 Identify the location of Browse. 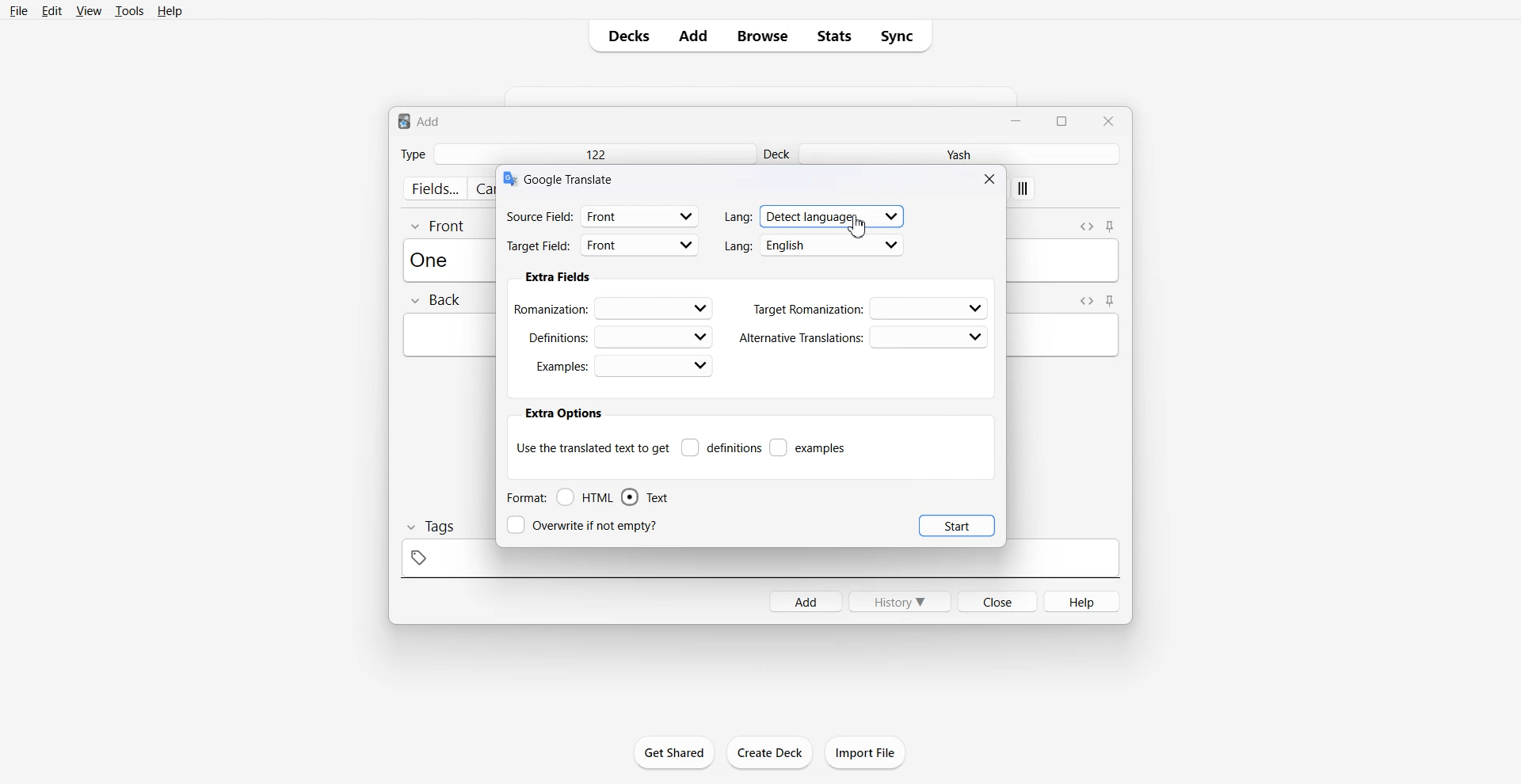
(763, 36).